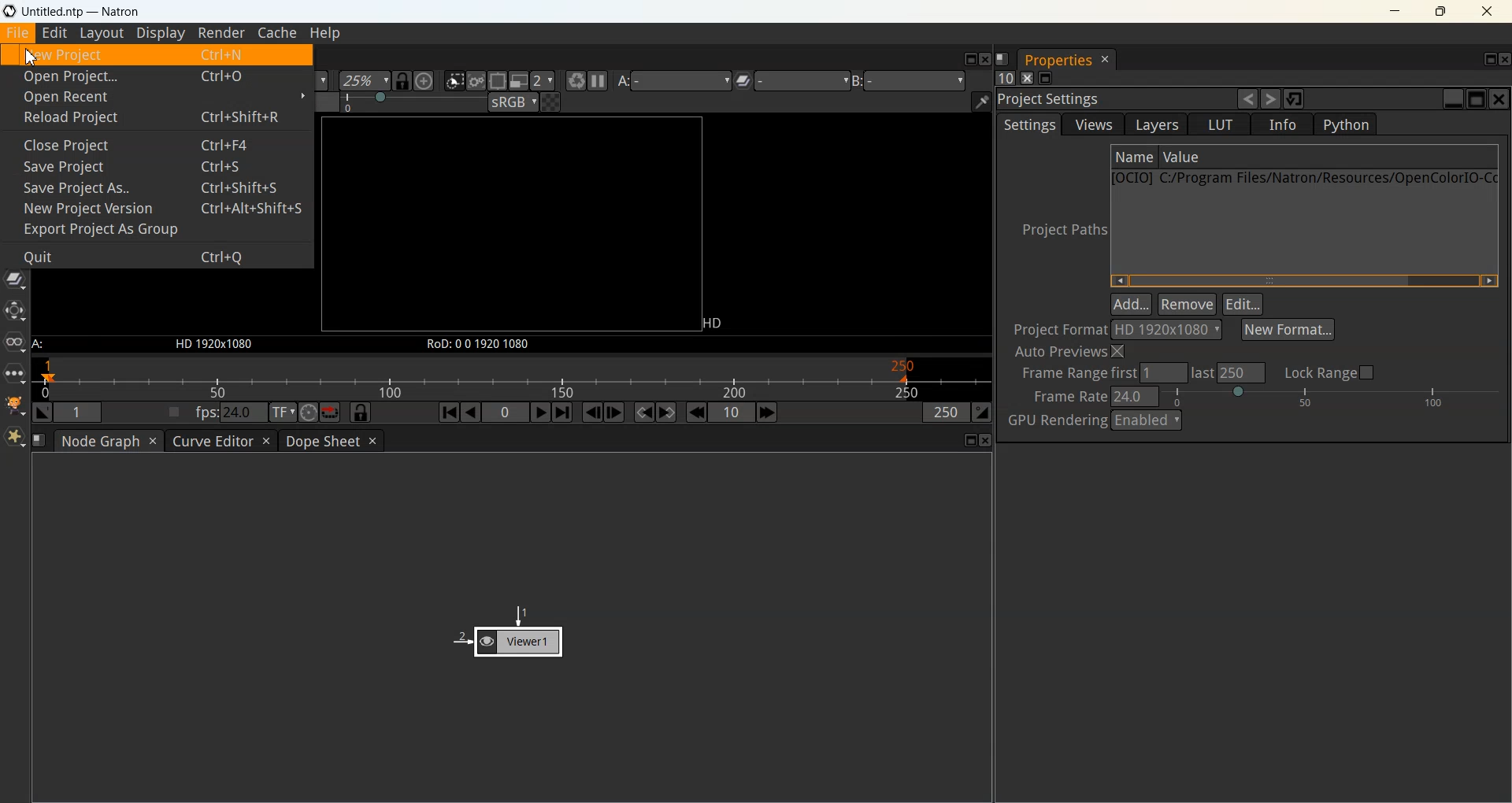  Describe the element at coordinates (593, 413) in the screenshot. I see `Previous Frame` at that location.